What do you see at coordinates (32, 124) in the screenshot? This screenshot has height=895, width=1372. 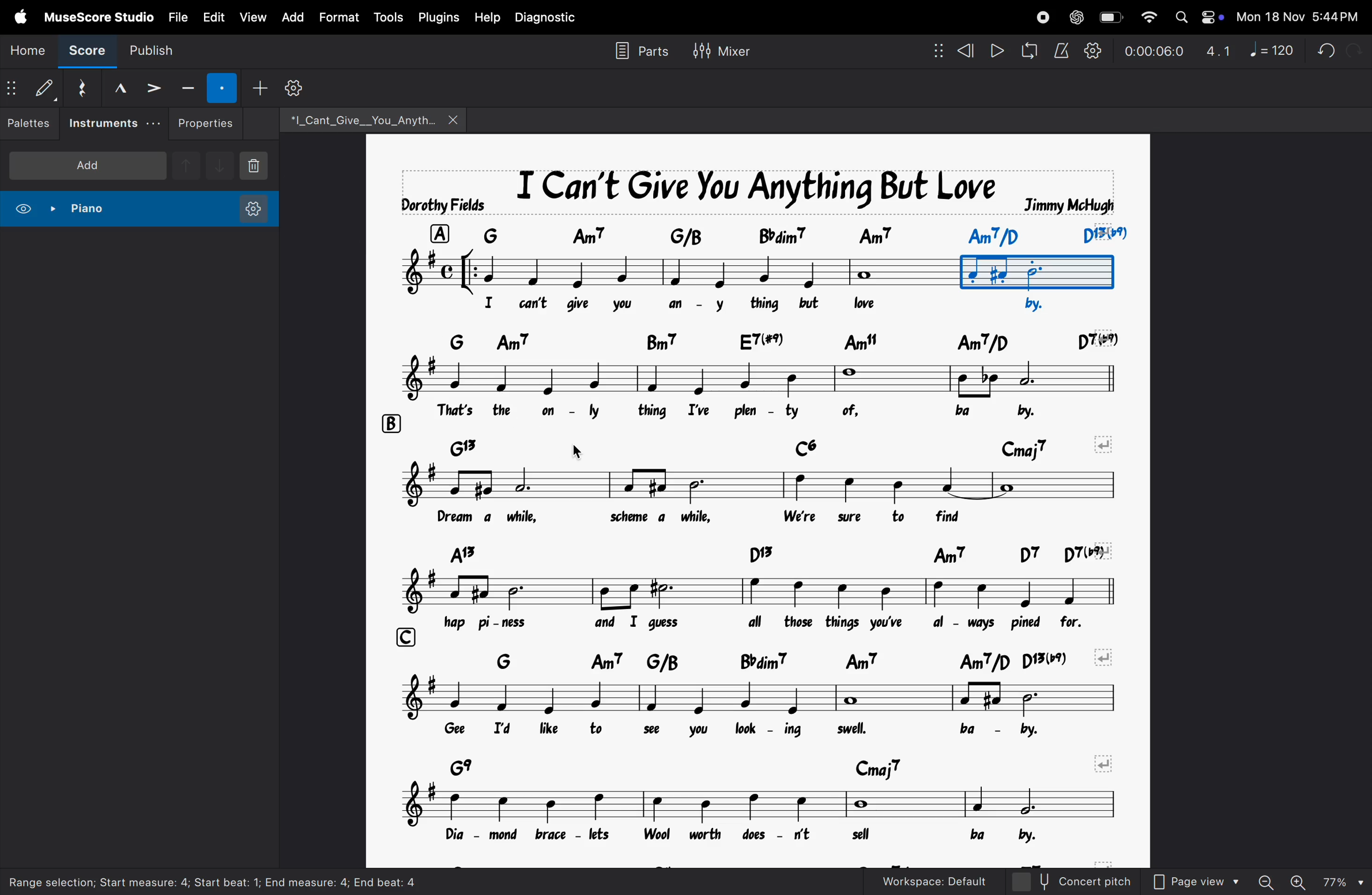 I see `palettes` at bounding box center [32, 124].